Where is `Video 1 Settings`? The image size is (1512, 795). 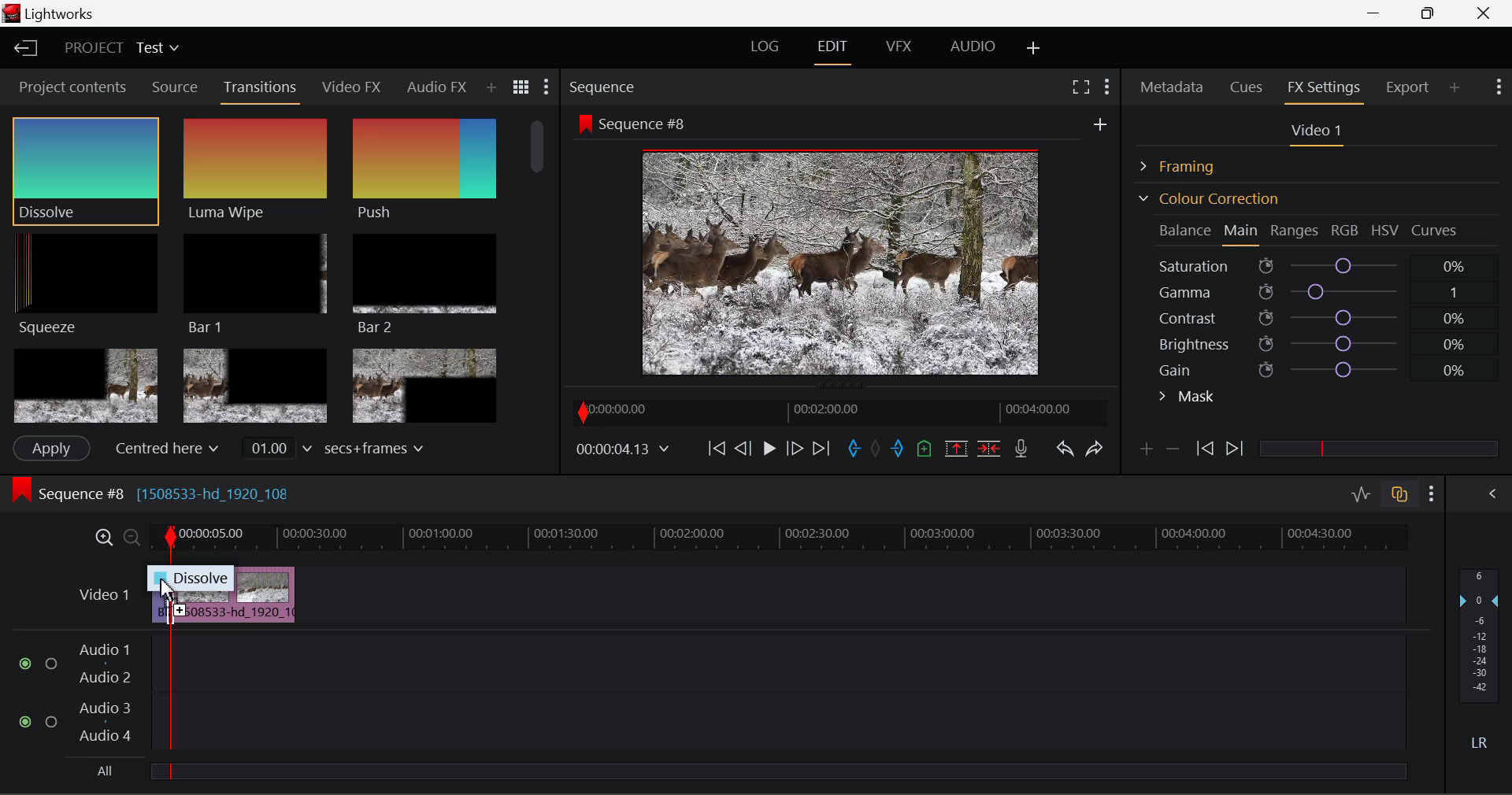 Video 1 Settings is located at coordinates (1319, 134).